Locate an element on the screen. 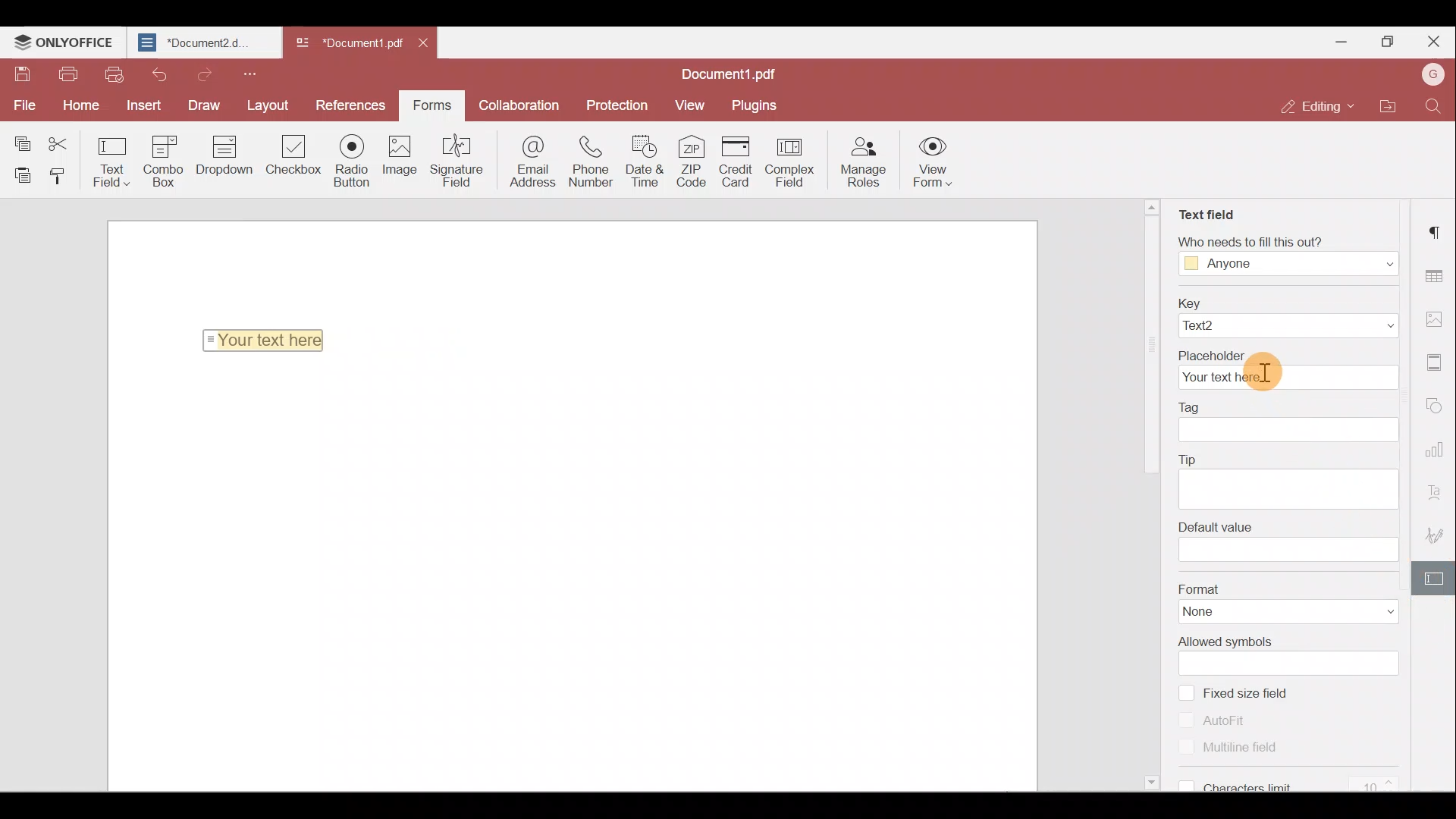 This screenshot has width=1456, height=819. Image is located at coordinates (406, 161).